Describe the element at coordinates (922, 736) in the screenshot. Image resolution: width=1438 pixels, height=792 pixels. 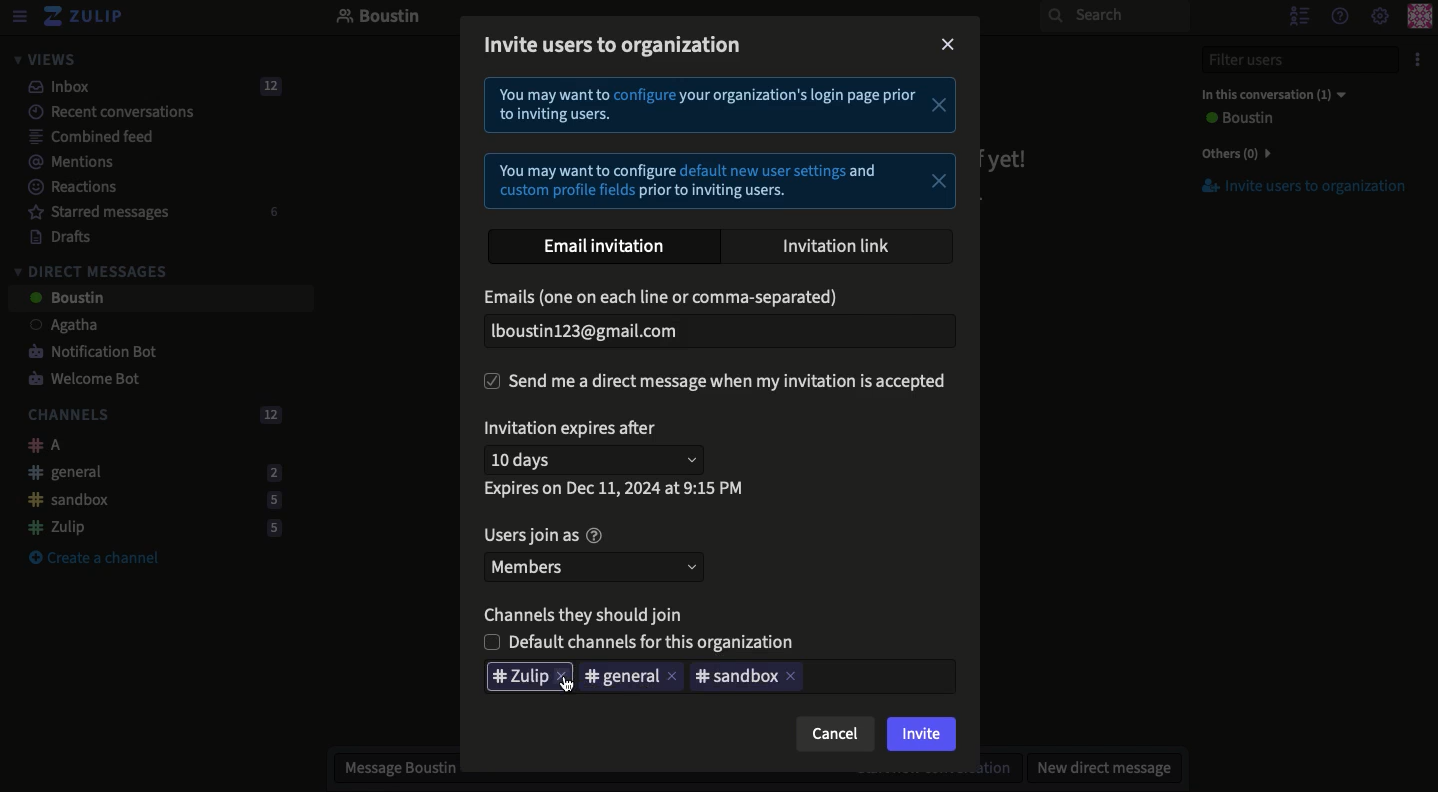
I see `Invite` at that location.